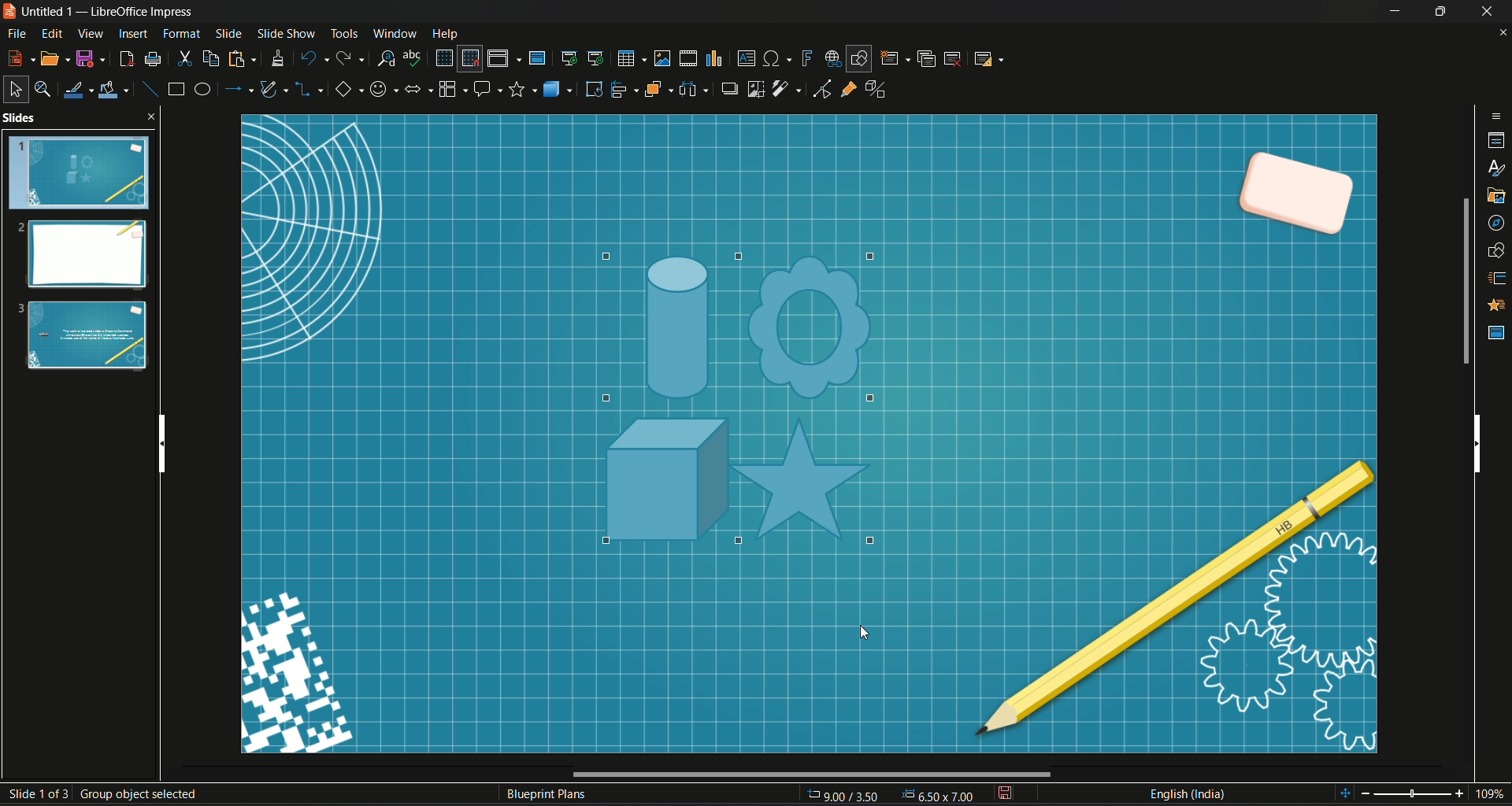 This screenshot has height=806, width=1512. Describe the element at coordinates (347, 91) in the screenshot. I see `basic shape` at that location.